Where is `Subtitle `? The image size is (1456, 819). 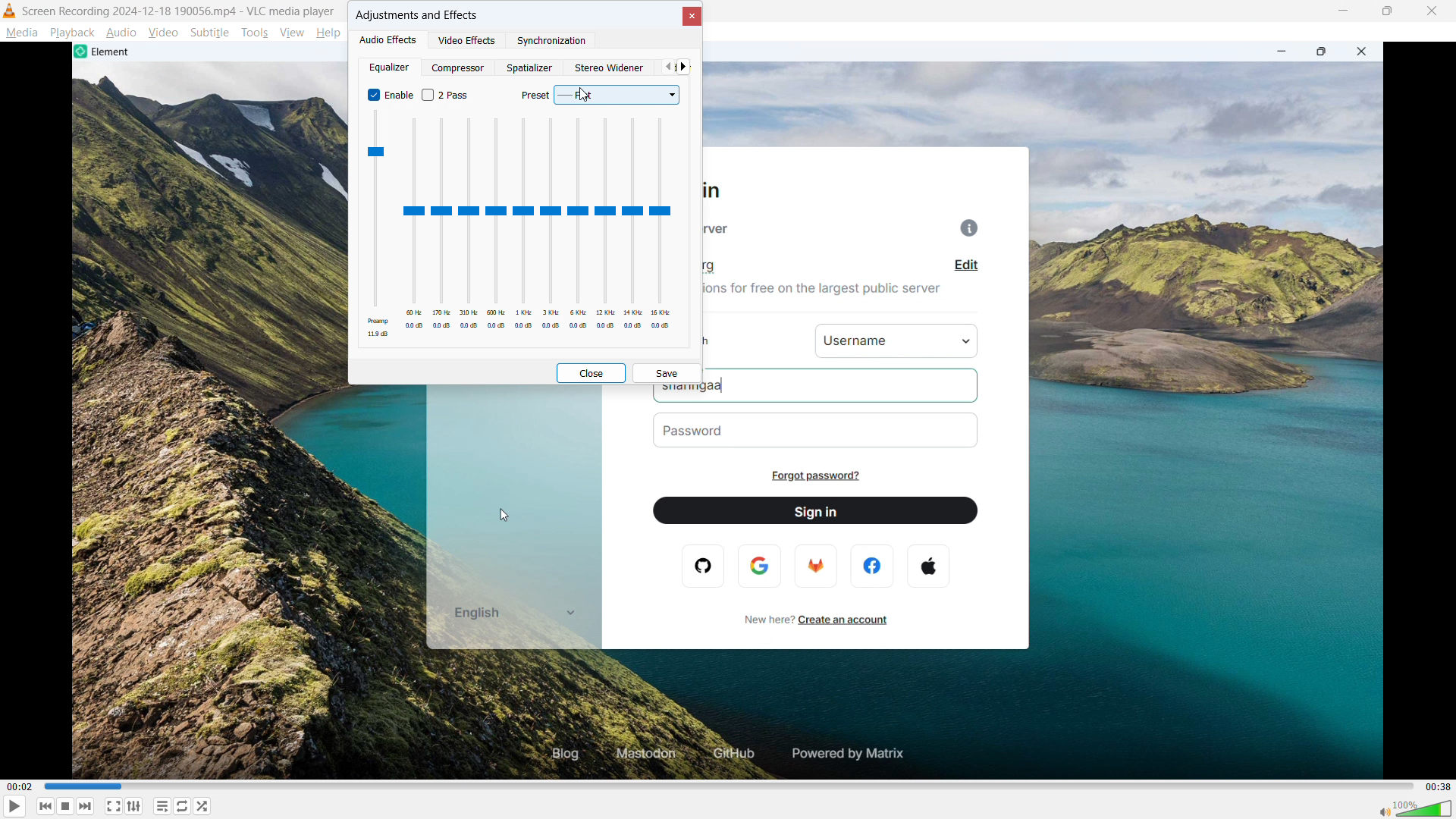
Subtitle  is located at coordinates (209, 33).